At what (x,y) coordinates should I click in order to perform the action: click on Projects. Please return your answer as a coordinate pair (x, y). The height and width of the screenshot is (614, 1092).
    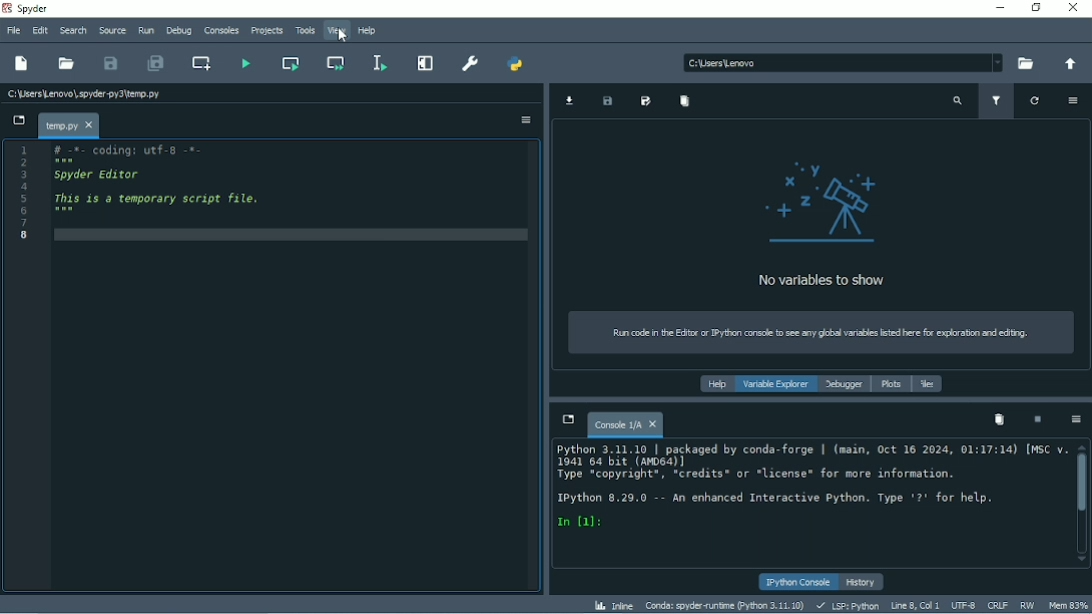
    Looking at the image, I should click on (265, 32).